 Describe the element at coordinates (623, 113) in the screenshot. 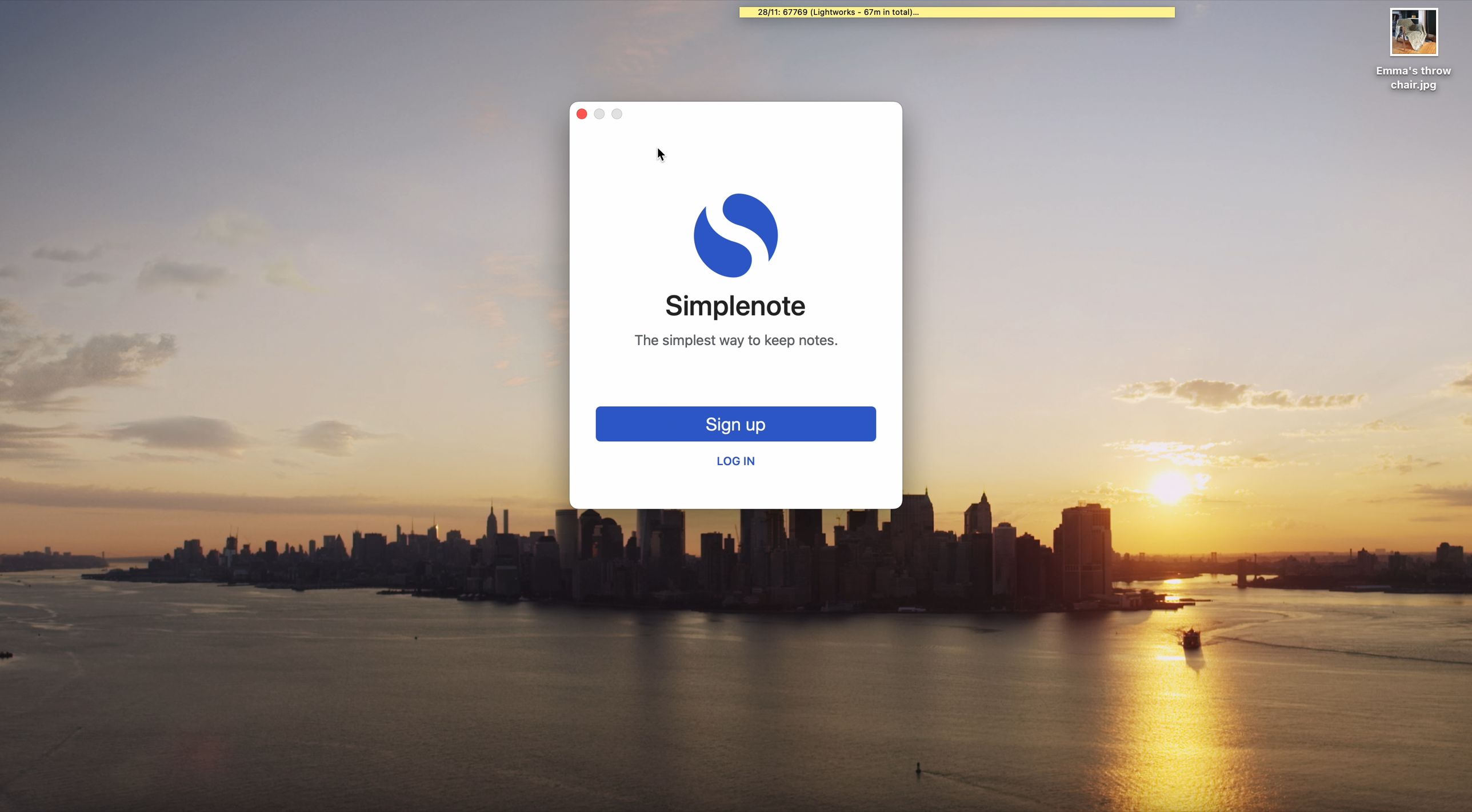

I see `maximize popup` at that location.